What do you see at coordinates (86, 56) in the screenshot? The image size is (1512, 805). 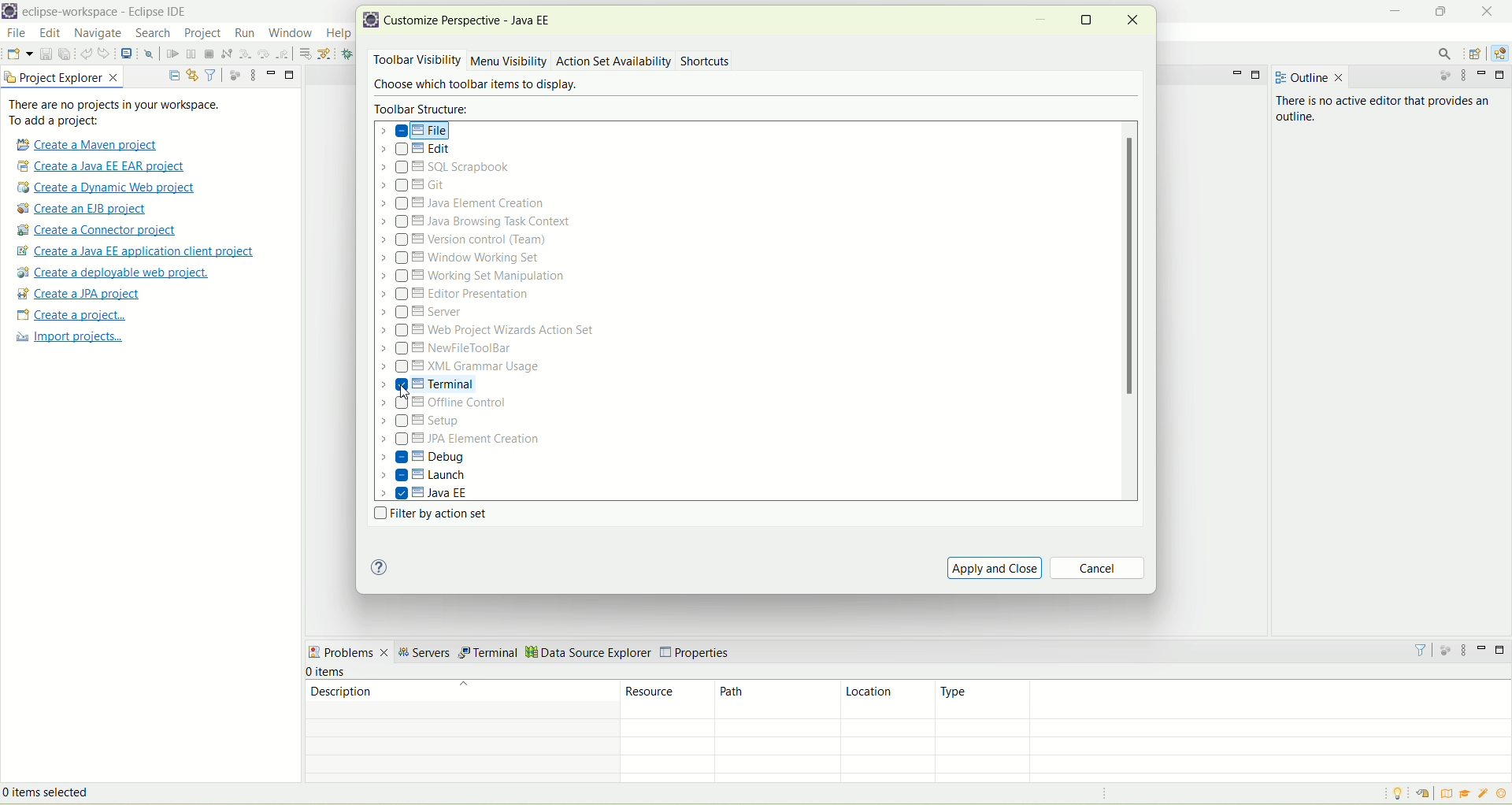 I see `undo` at bounding box center [86, 56].